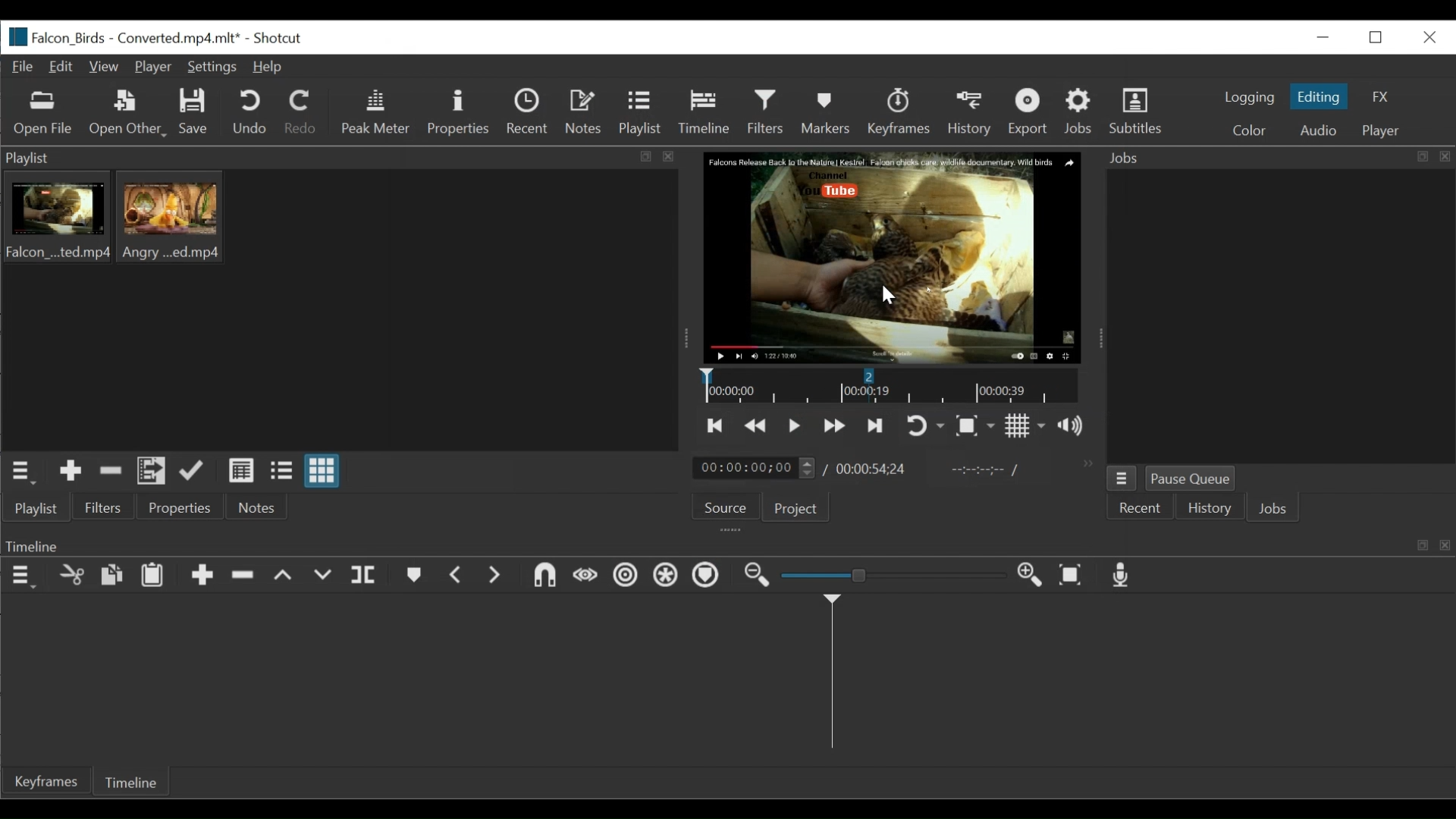 The width and height of the screenshot is (1456, 819). Describe the element at coordinates (1080, 111) in the screenshot. I see `Jobs` at that location.